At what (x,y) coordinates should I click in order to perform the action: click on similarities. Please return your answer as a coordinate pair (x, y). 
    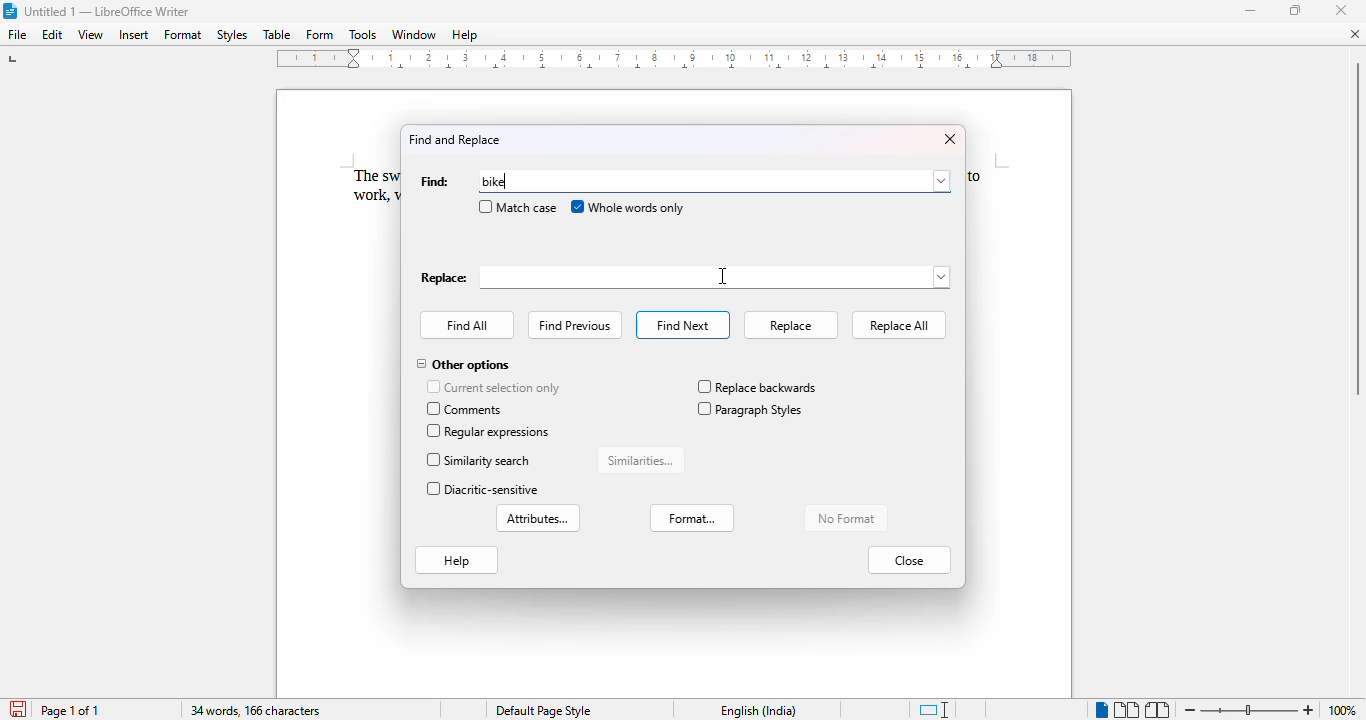
    Looking at the image, I should click on (641, 460).